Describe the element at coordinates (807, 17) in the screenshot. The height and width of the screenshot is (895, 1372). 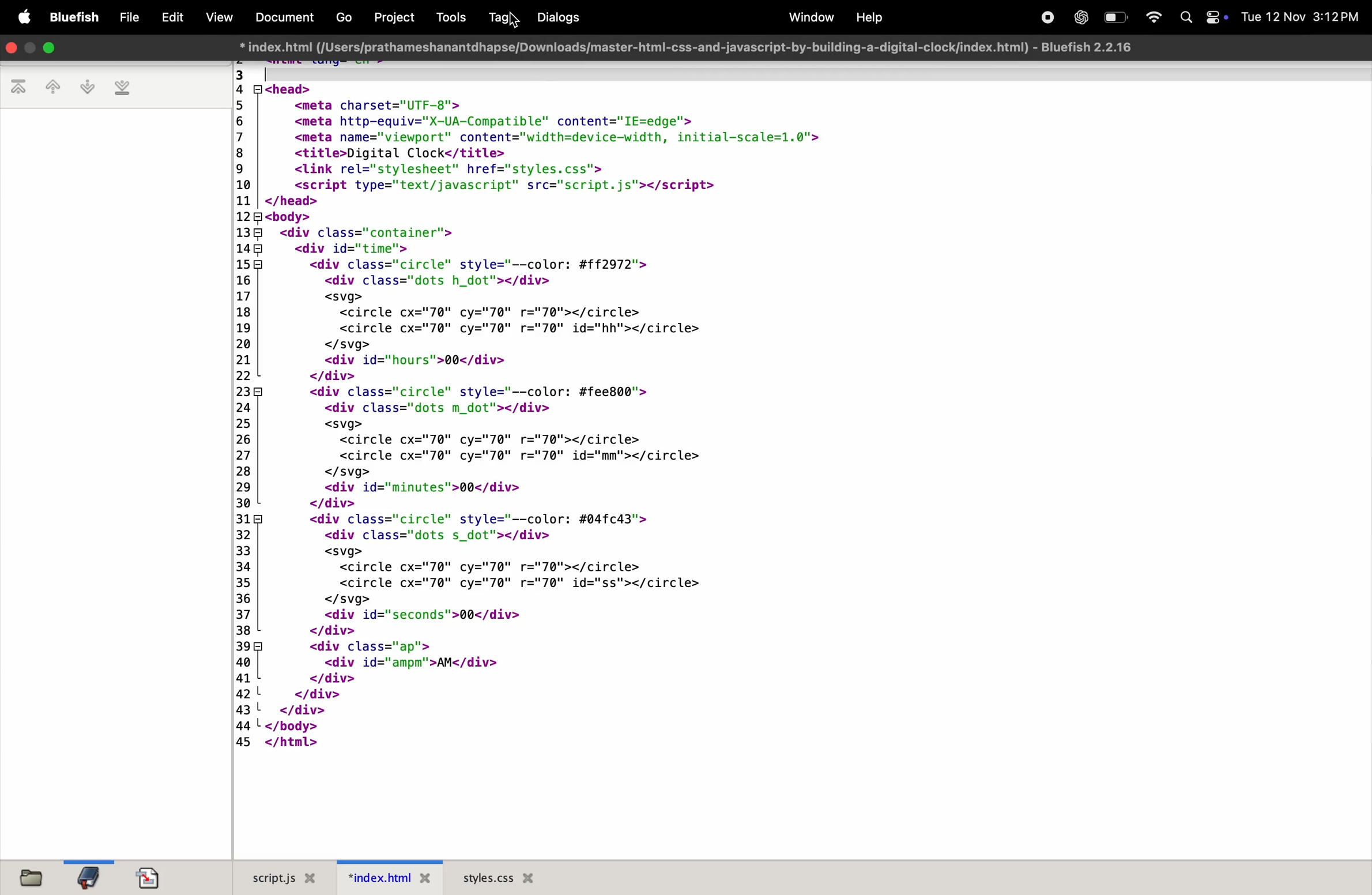
I see `window` at that location.